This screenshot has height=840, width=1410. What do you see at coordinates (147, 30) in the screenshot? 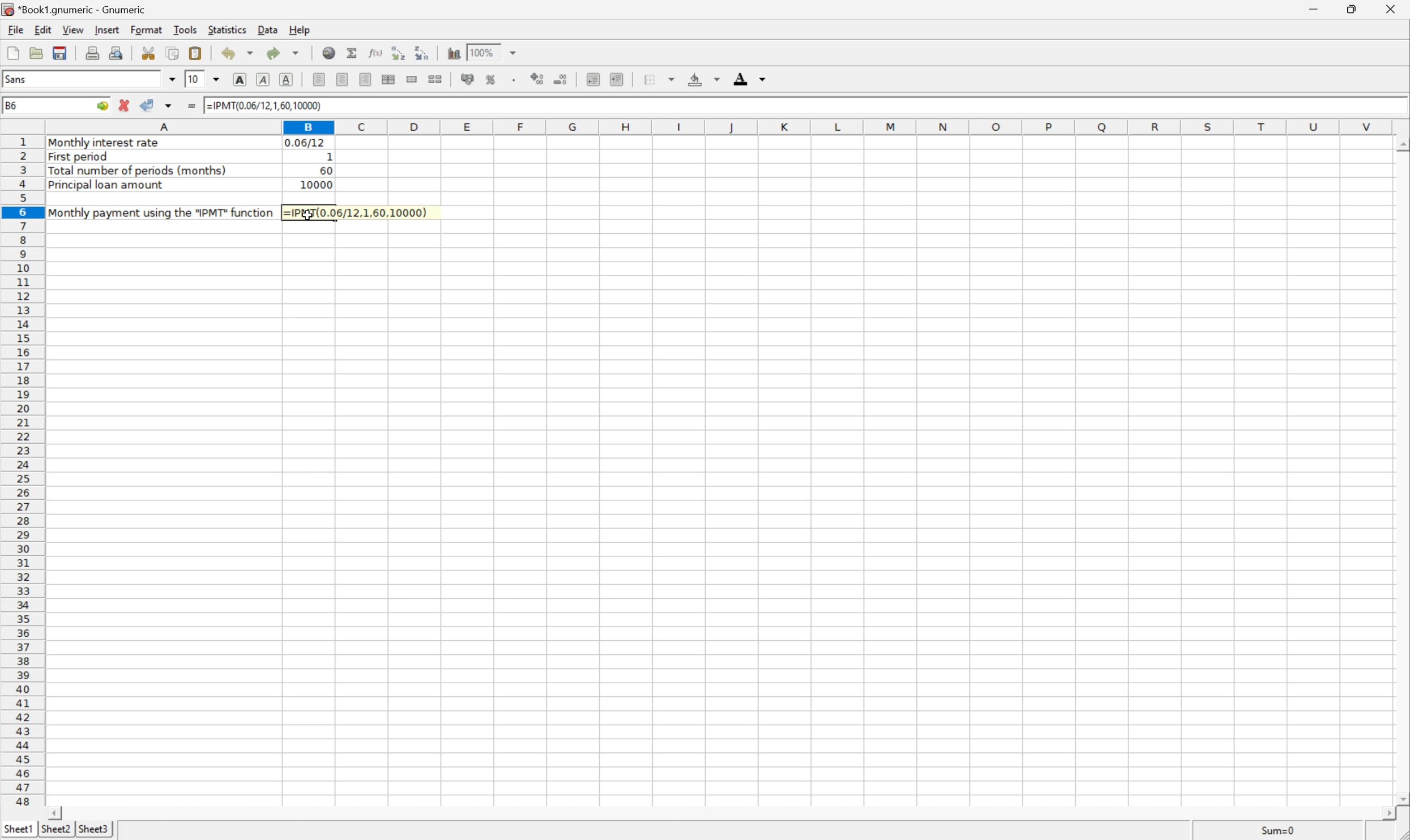
I see `Format` at bounding box center [147, 30].